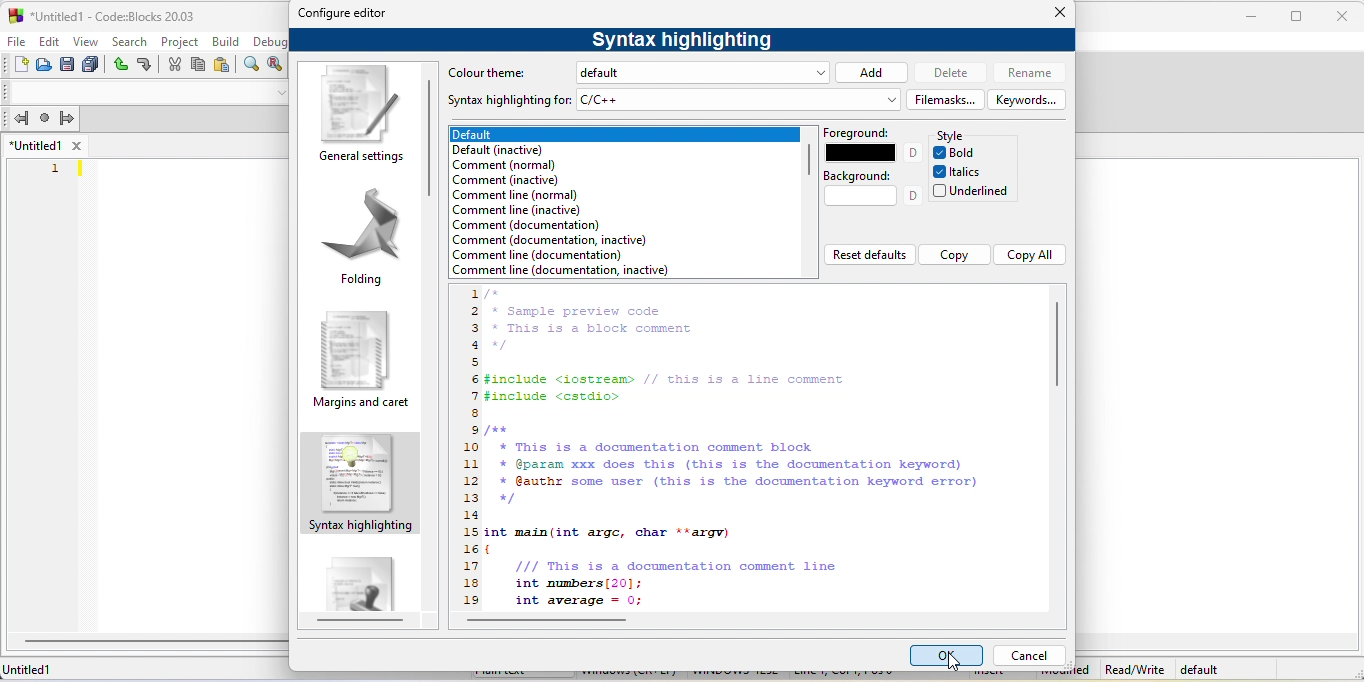 This screenshot has height=682, width=1364. I want to click on untitled 1-code blocks-20.03, so click(113, 17).